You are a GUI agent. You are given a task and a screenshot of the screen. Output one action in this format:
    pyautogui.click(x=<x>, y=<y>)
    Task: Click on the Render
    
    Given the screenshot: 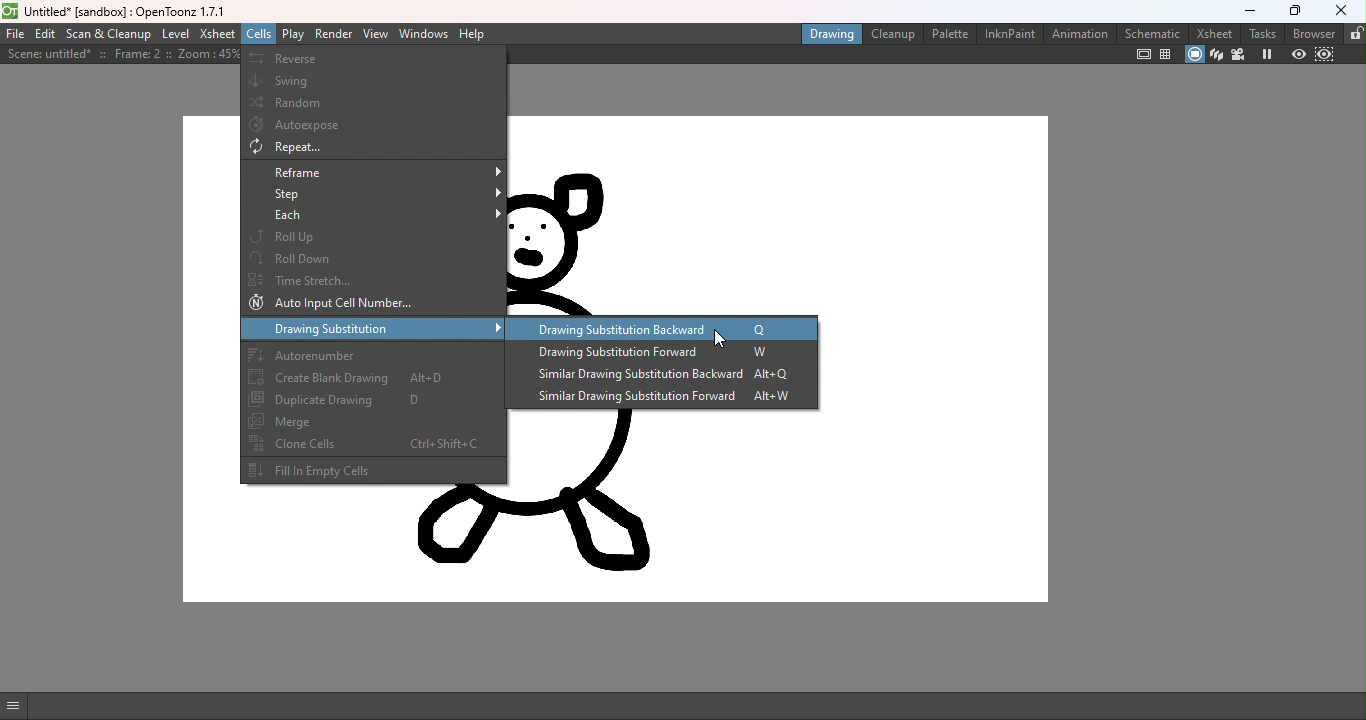 What is the action you would take?
    pyautogui.click(x=333, y=33)
    